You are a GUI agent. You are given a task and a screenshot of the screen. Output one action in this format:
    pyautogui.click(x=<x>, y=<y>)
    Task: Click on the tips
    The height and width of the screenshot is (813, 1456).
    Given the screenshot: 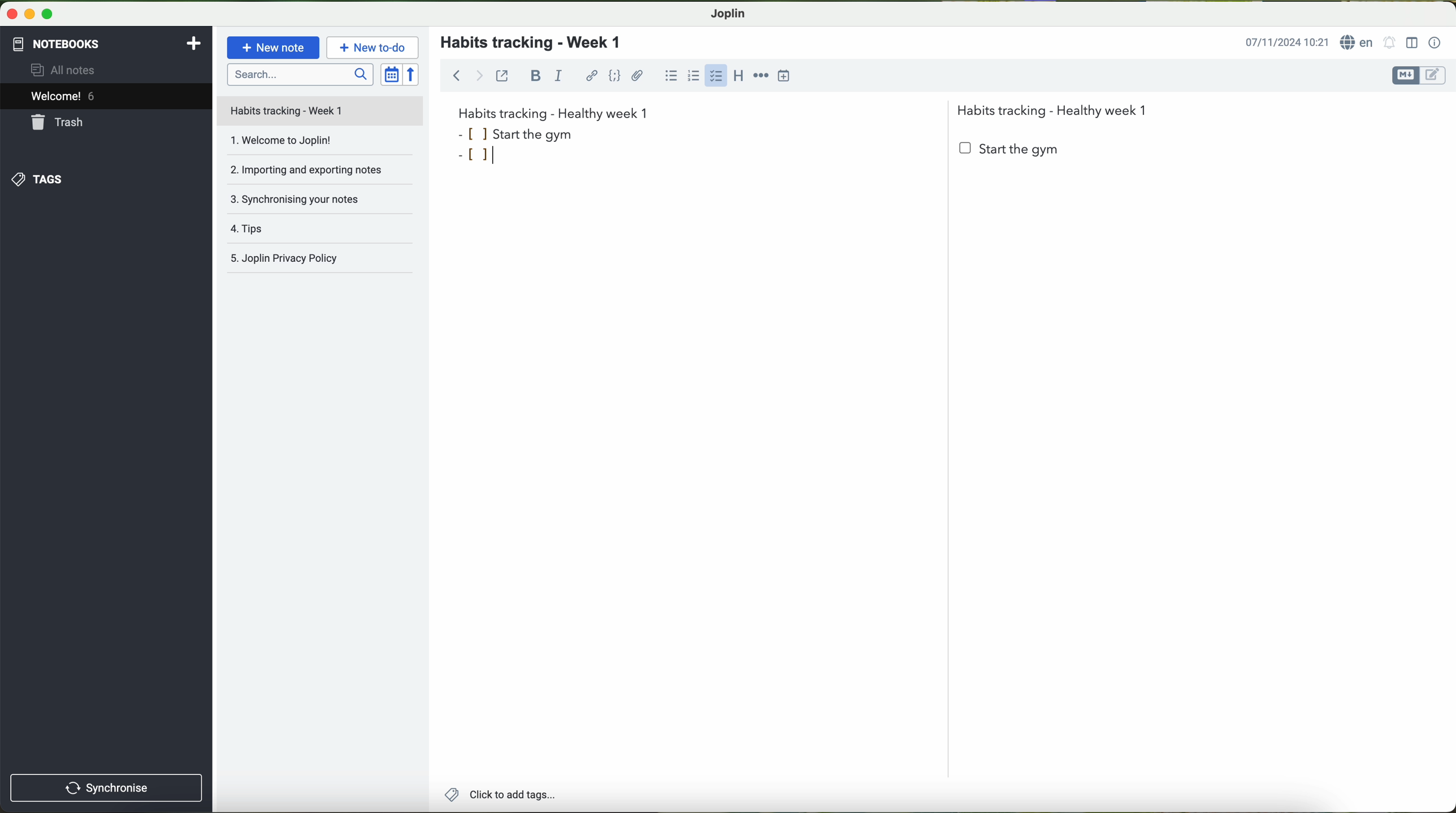 What is the action you would take?
    pyautogui.click(x=322, y=231)
    